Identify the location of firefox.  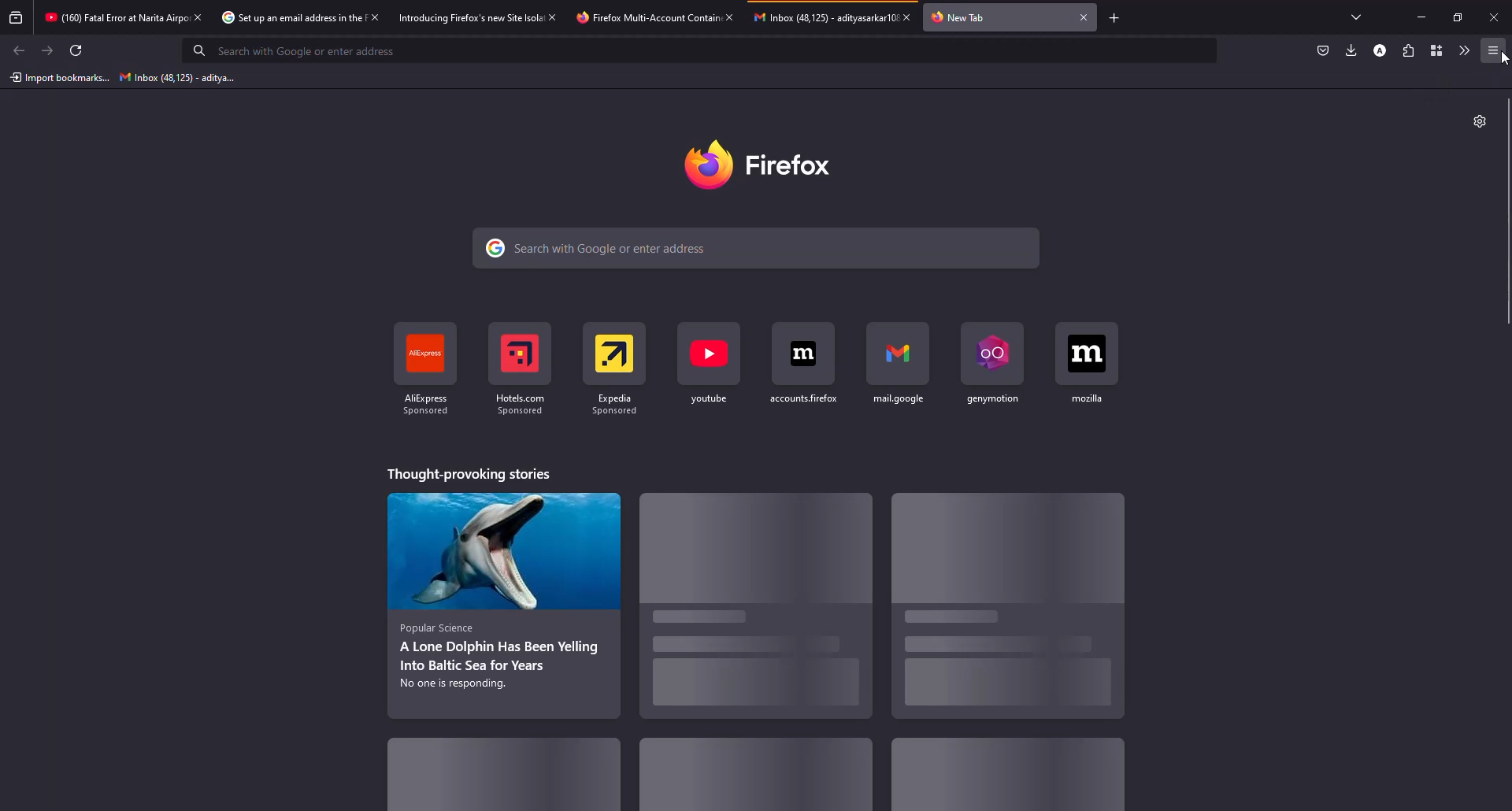
(762, 162).